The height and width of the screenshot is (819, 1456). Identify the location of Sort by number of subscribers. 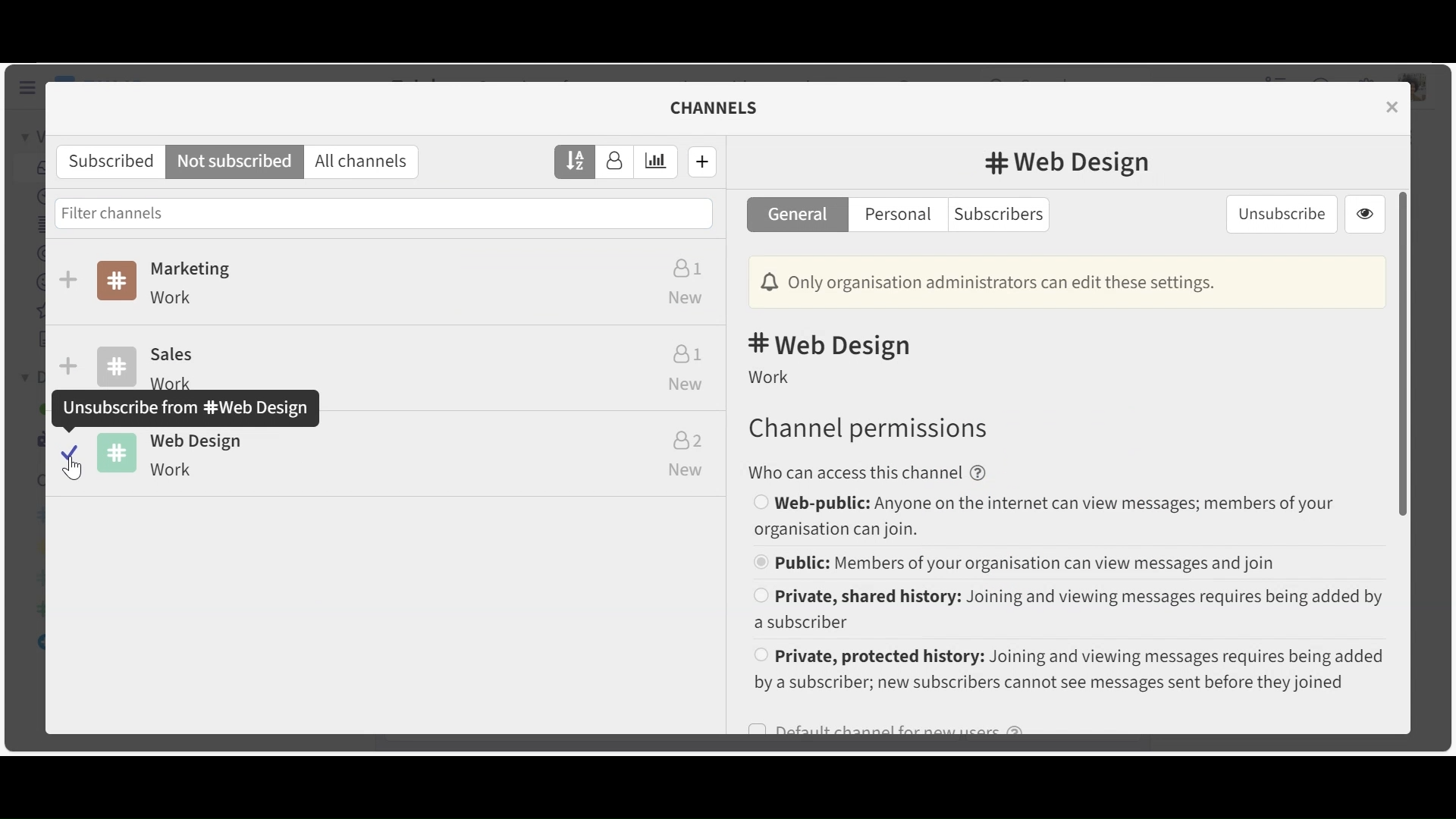
(613, 162).